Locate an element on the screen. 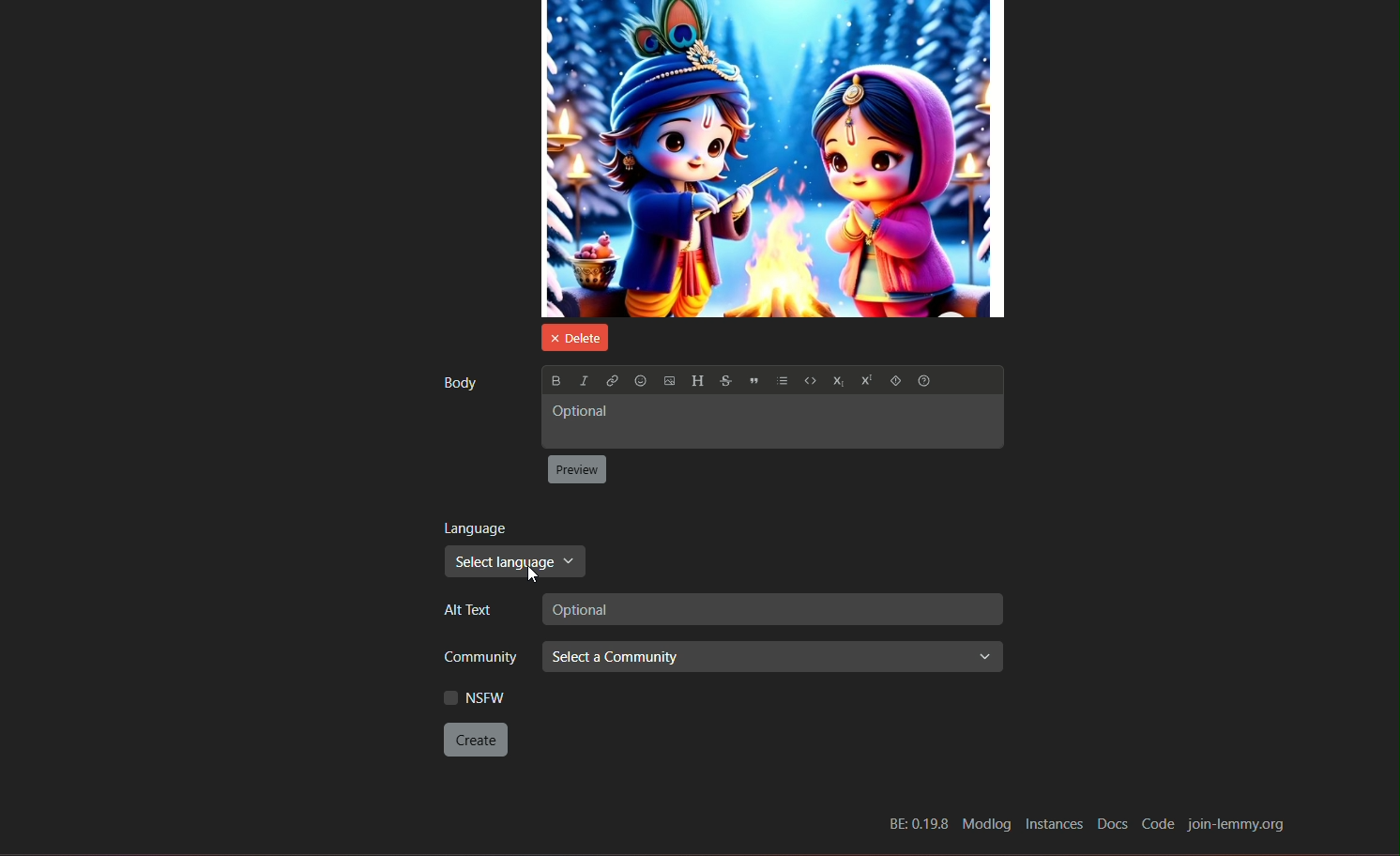 The width and height of the screenshot is (1400, 856). Select a community is located at coordinates (771, 657).